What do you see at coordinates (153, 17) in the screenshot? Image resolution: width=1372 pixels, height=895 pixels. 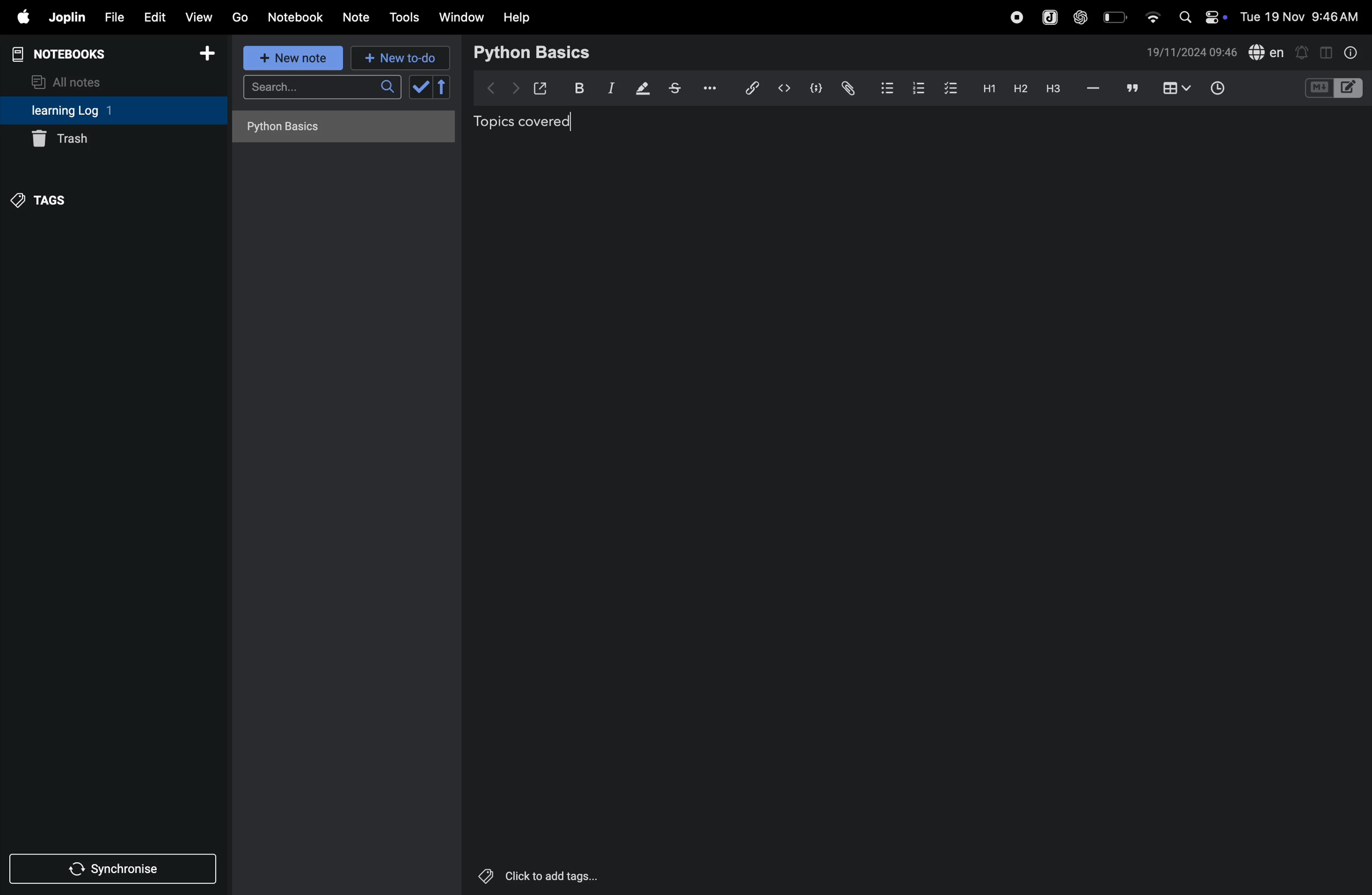 I see `edit` at bounding box center [153, 17].